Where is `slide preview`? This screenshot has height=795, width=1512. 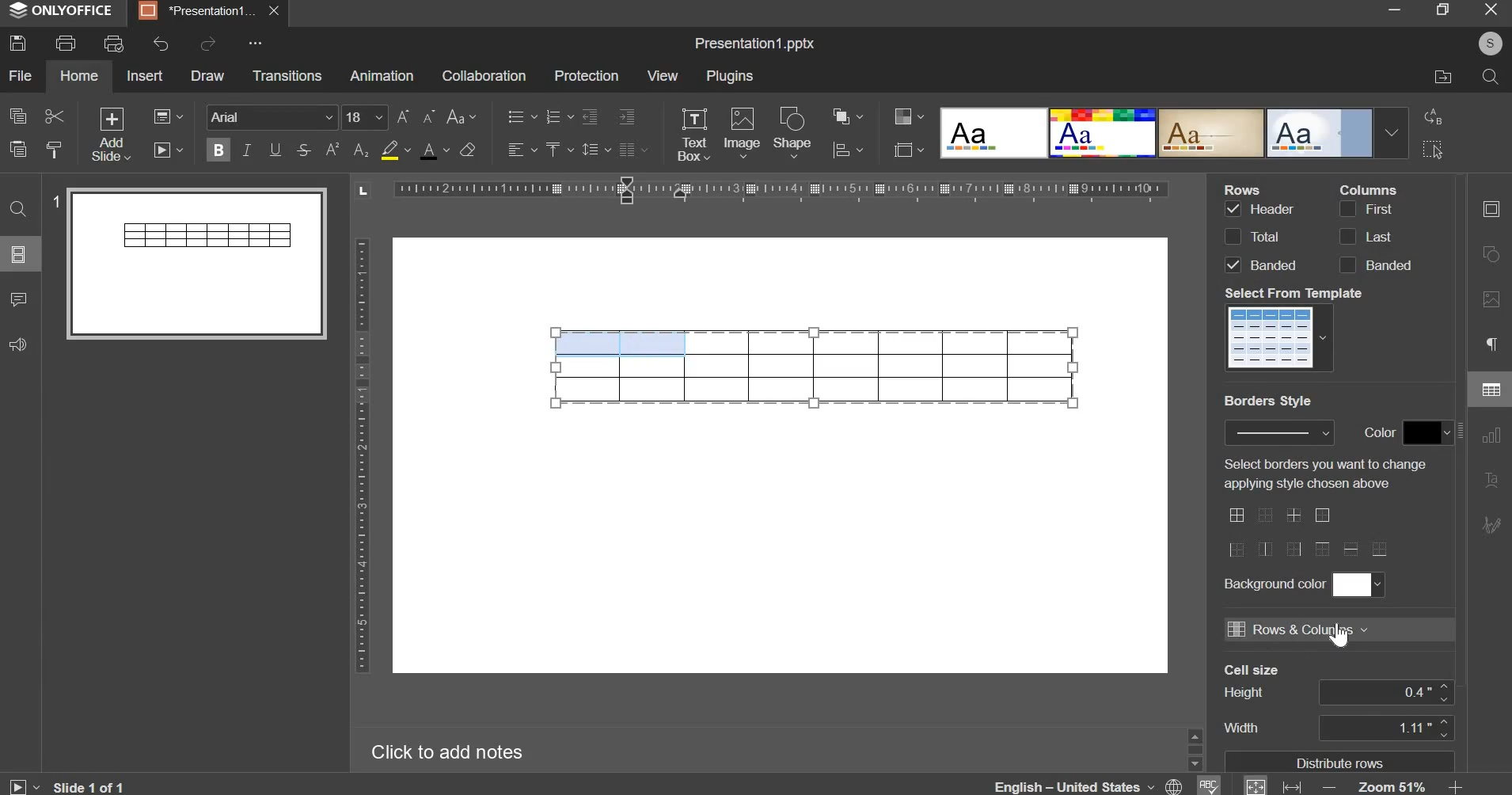 slide preview is located at coordinates (189, 262).